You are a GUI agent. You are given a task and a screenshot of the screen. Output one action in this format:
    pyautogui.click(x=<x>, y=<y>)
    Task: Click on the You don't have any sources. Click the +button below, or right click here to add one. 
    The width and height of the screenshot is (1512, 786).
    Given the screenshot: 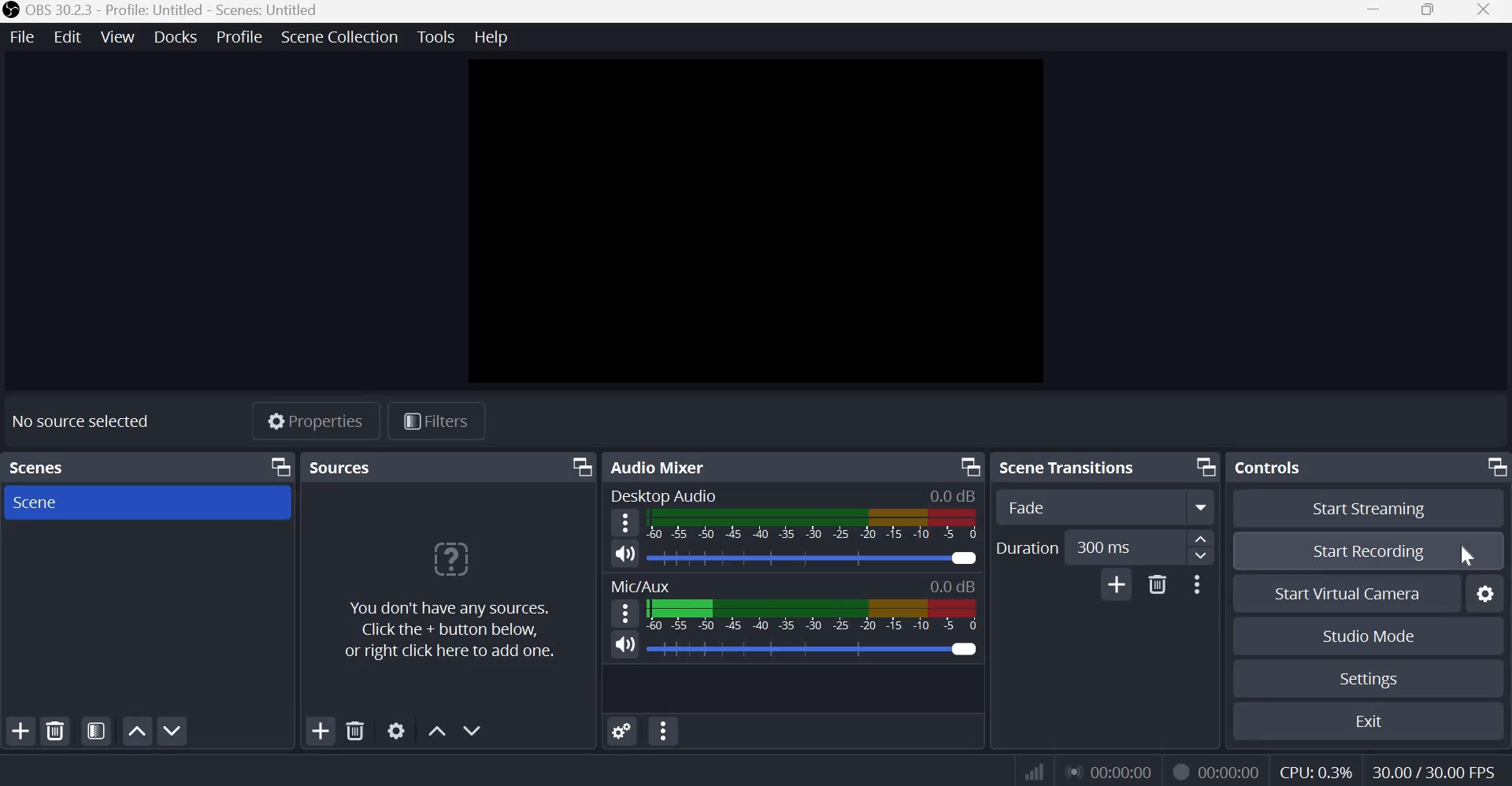 What is the action you would take?
    pyautogui.click(x=454, y=600)
    